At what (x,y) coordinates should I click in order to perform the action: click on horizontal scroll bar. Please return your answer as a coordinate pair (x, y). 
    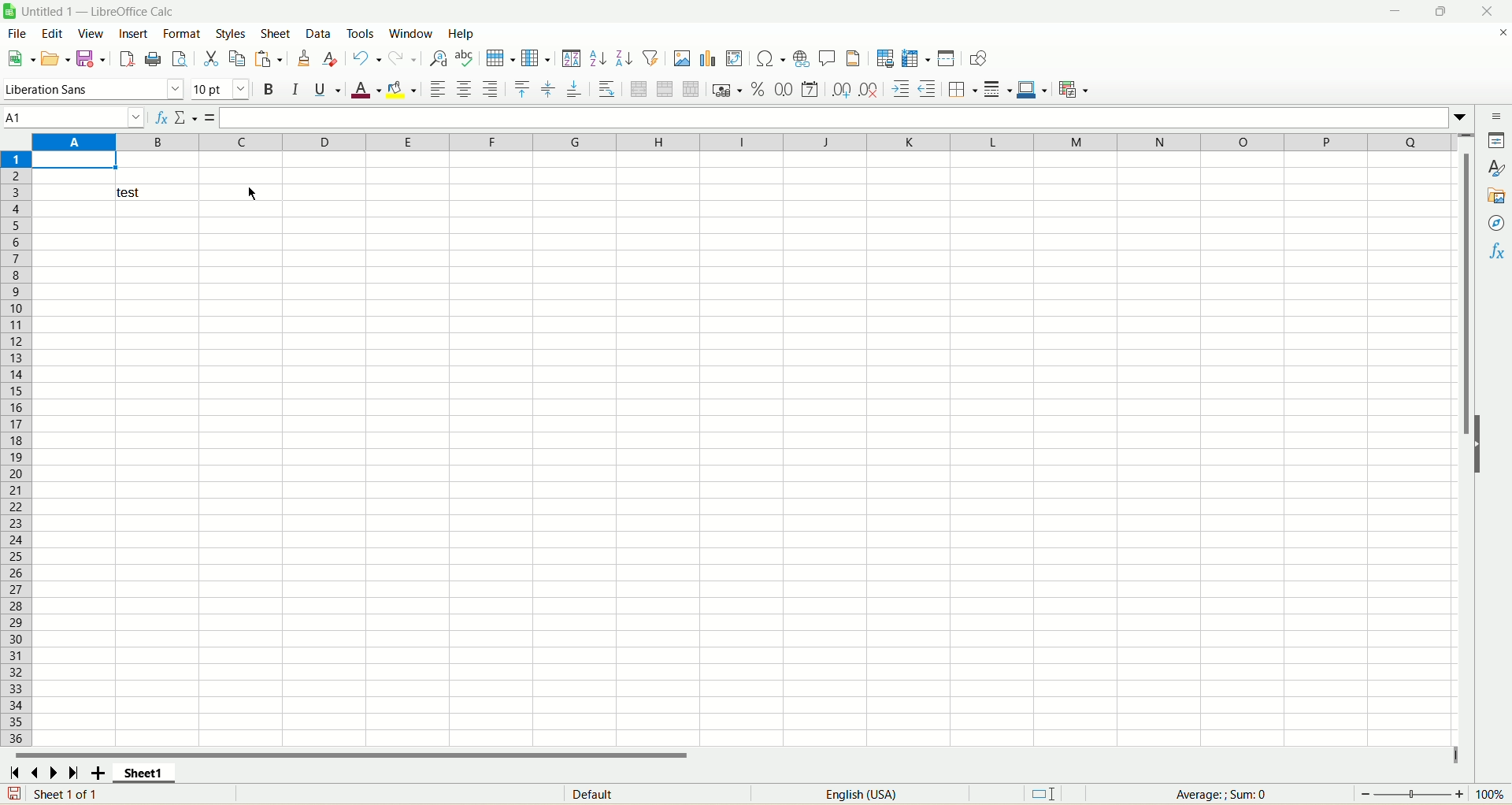
    Looking at the image, I should click on (733, 753).